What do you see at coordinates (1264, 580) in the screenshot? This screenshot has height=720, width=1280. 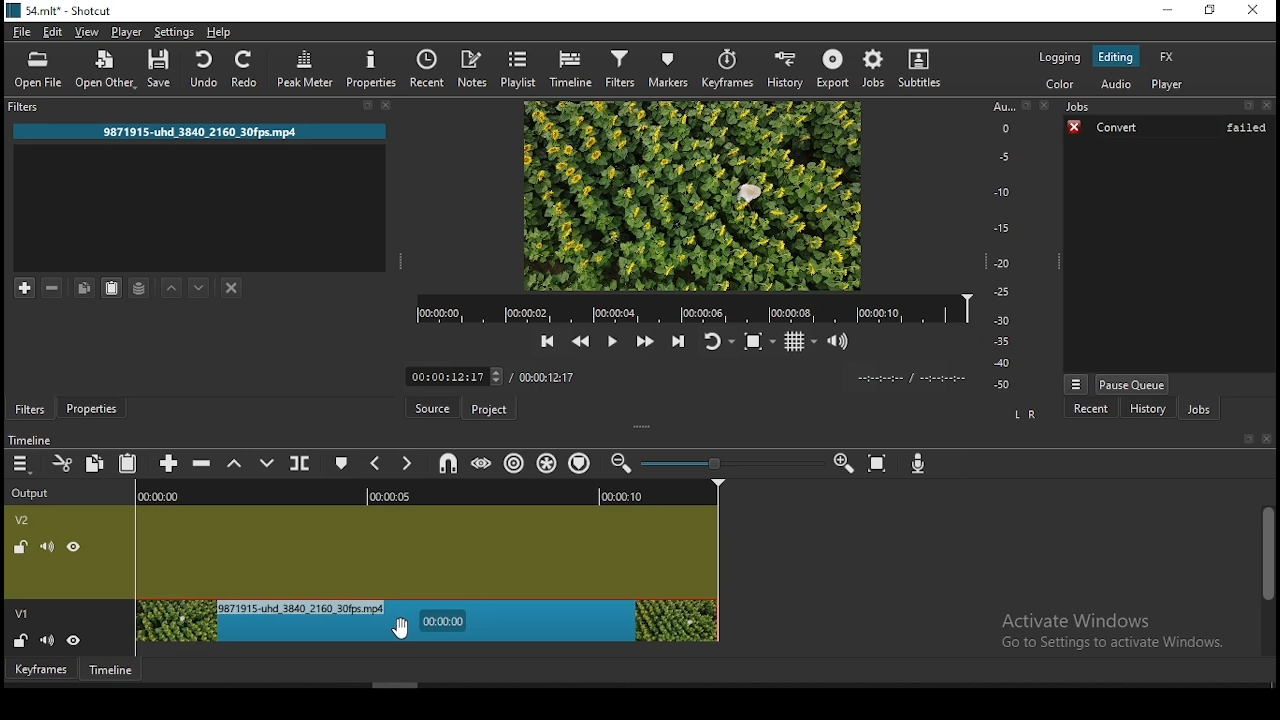 I see `scroll bar` at bounding box center [1264, 580].